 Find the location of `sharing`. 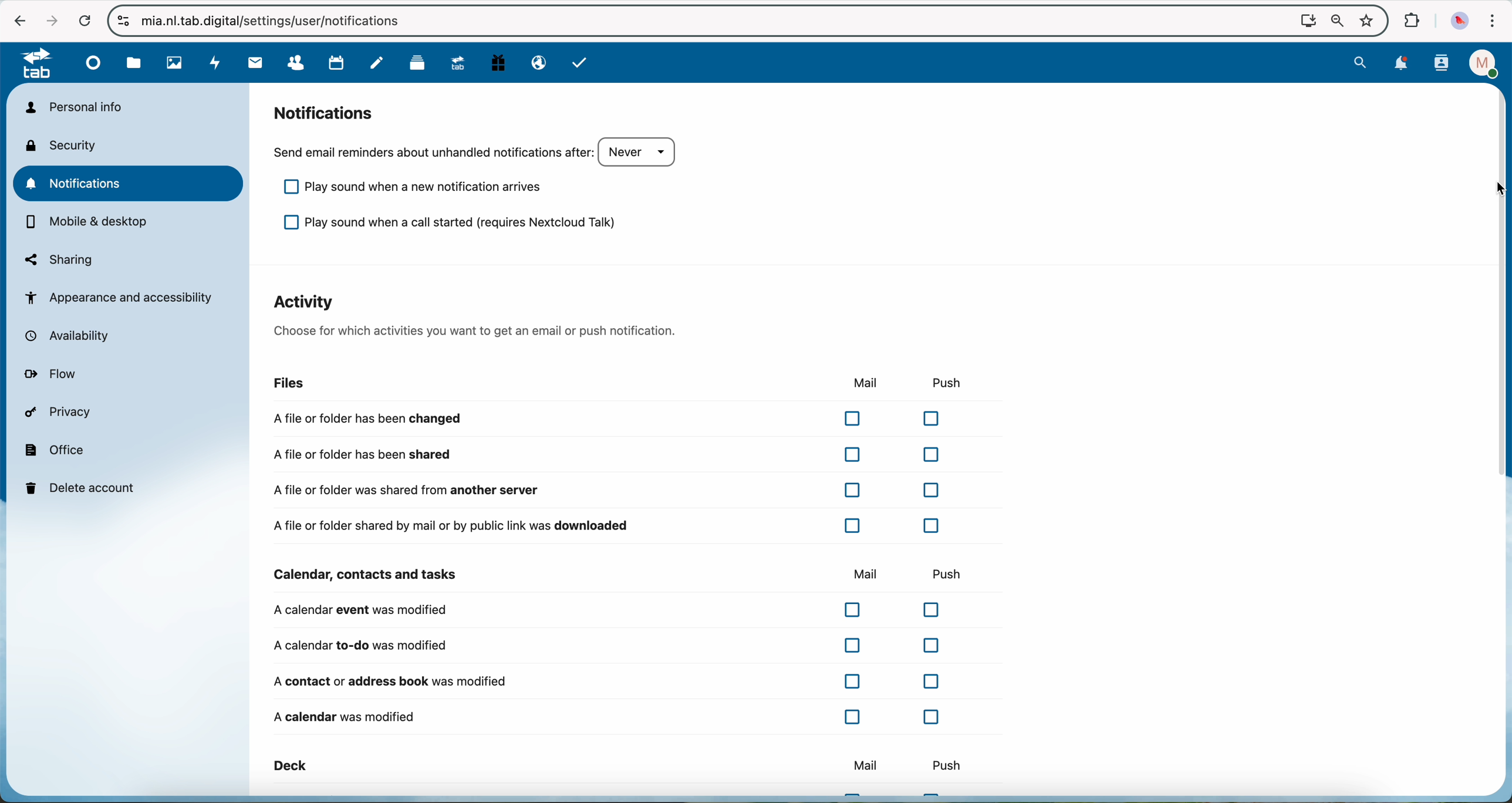

sharing is located at coordinates (59, 259).